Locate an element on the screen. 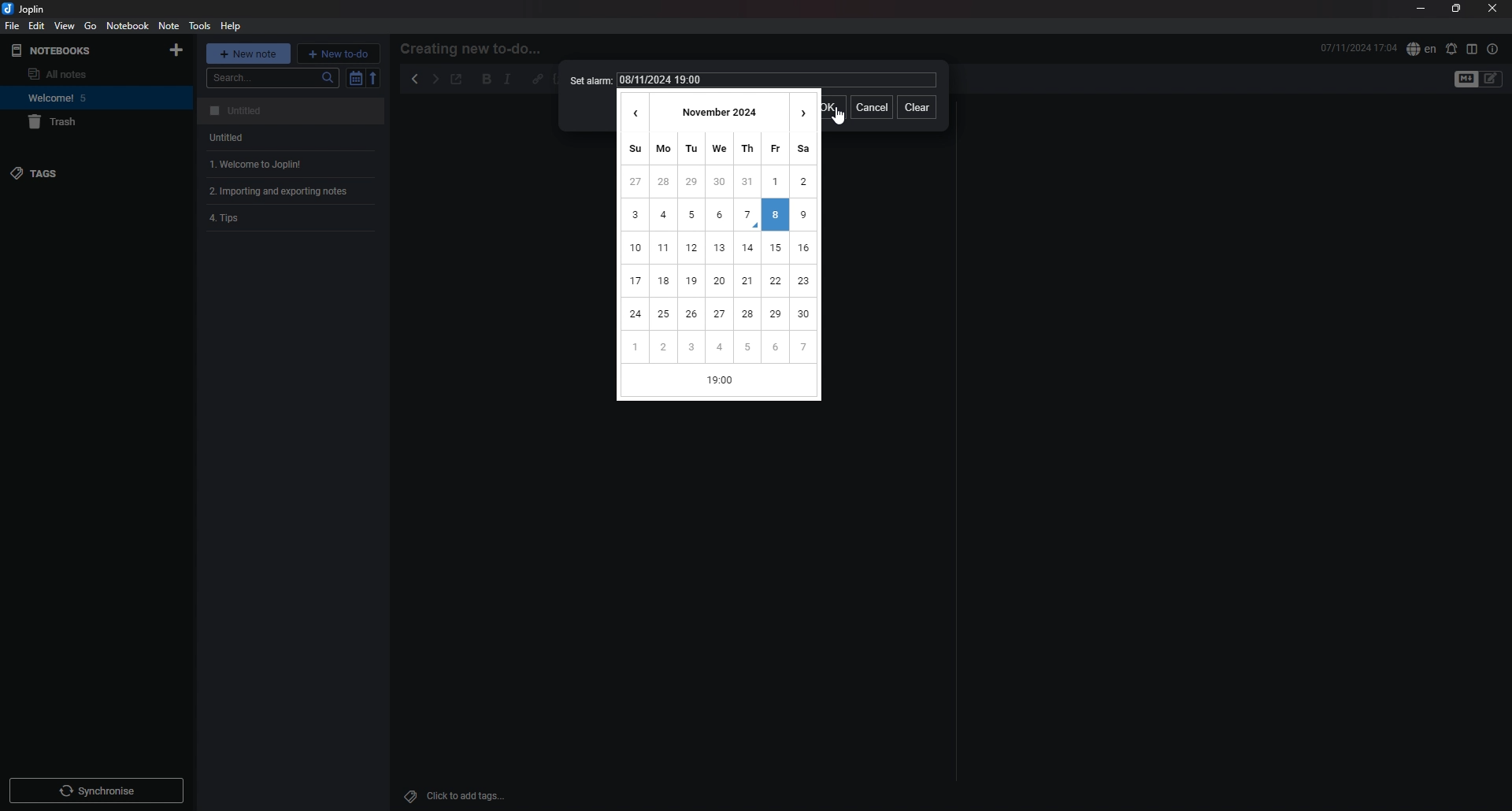  selected date is located at coordinates (775, 215).